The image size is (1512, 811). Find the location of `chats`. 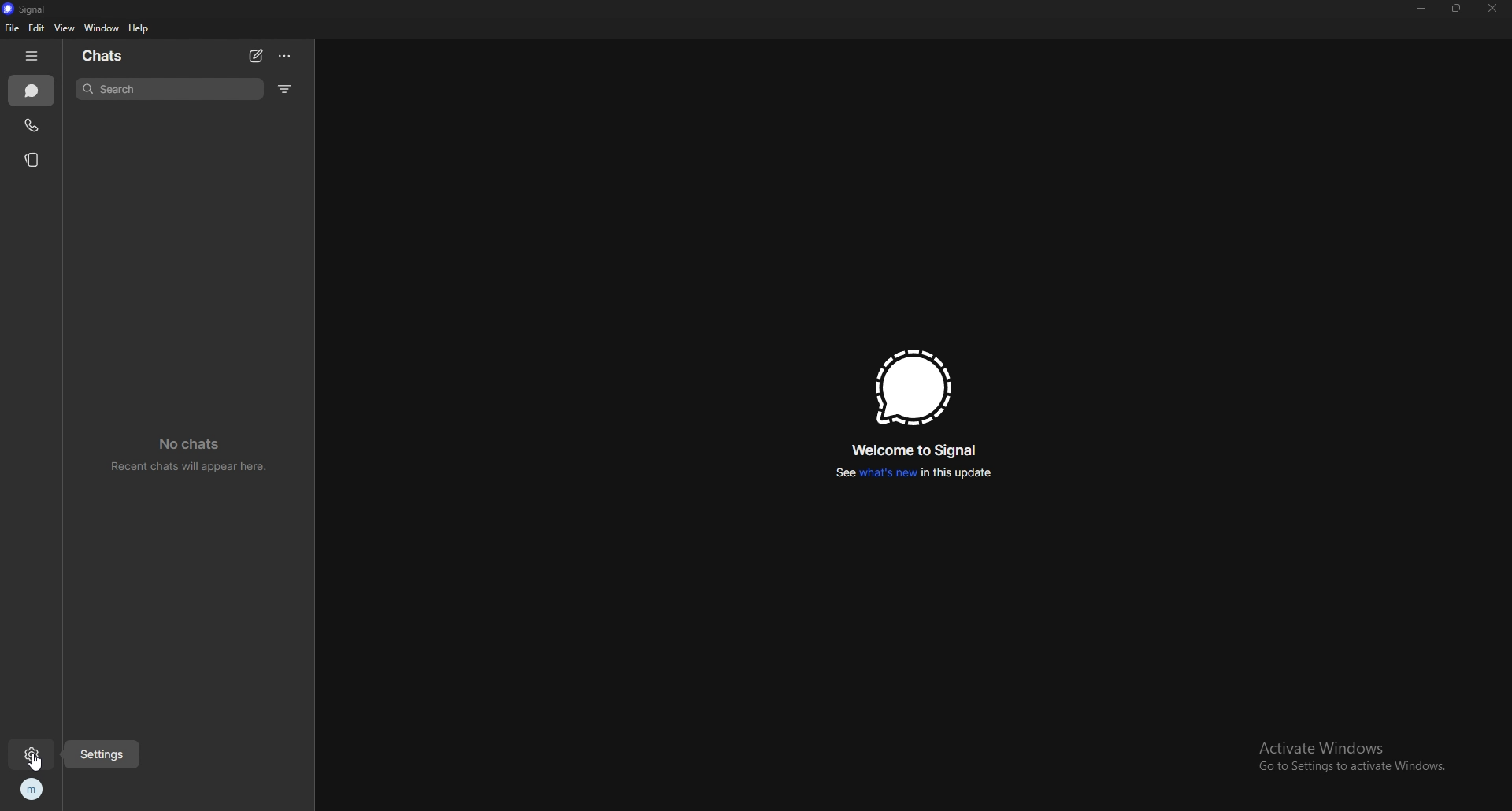

chats is located at coordinates (122, 54).